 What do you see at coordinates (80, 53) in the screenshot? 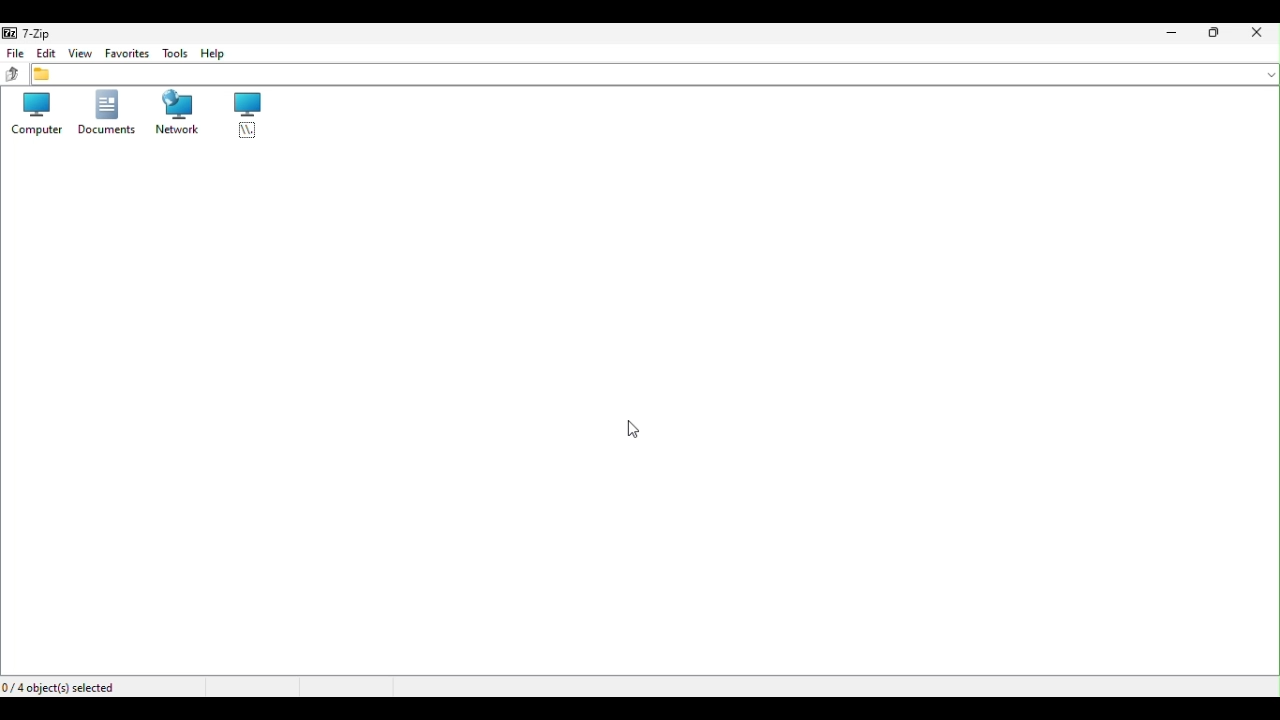
I see `View` at bounding box center [80, 53].